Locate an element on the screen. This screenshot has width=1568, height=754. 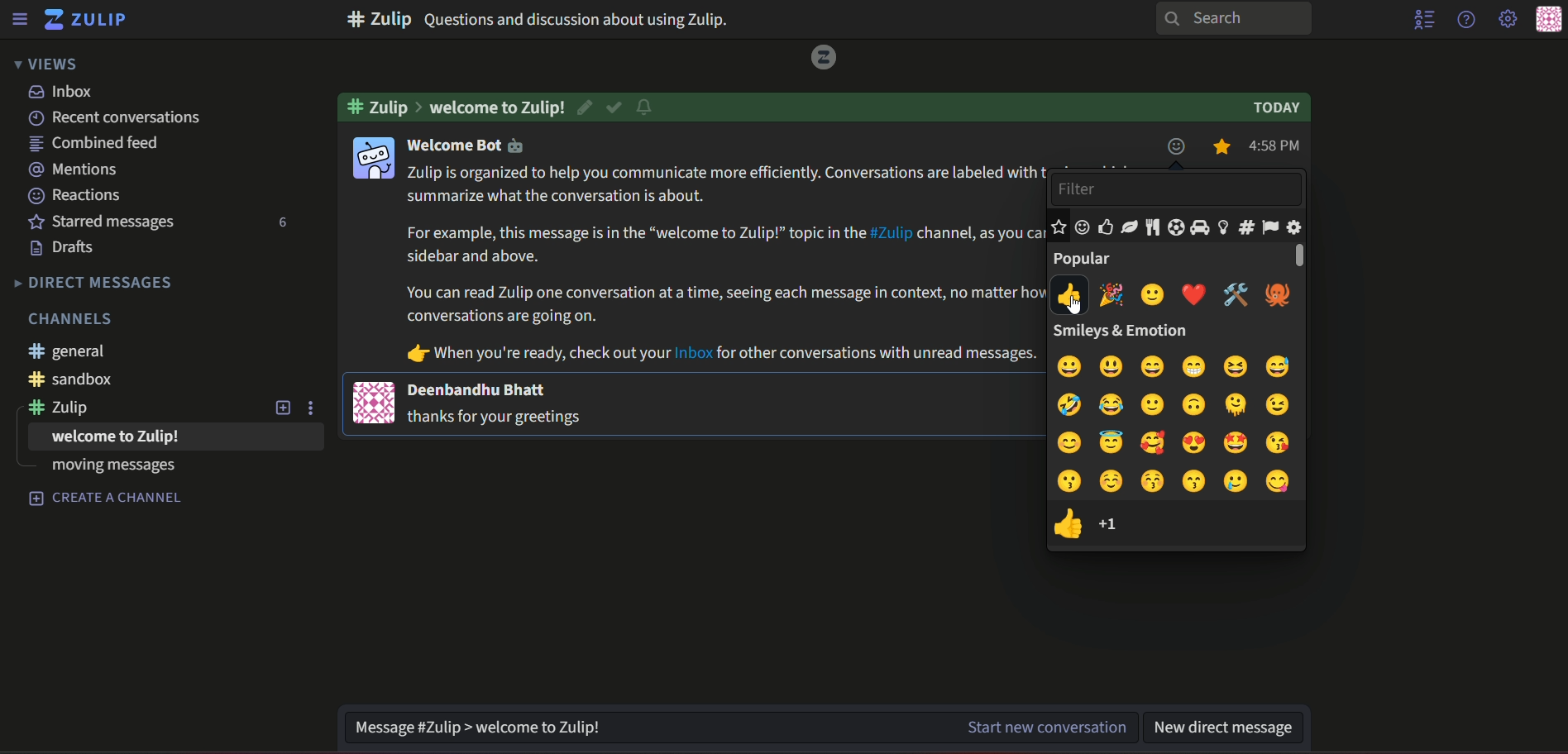
emoji is located at coordinates (1179, 483).